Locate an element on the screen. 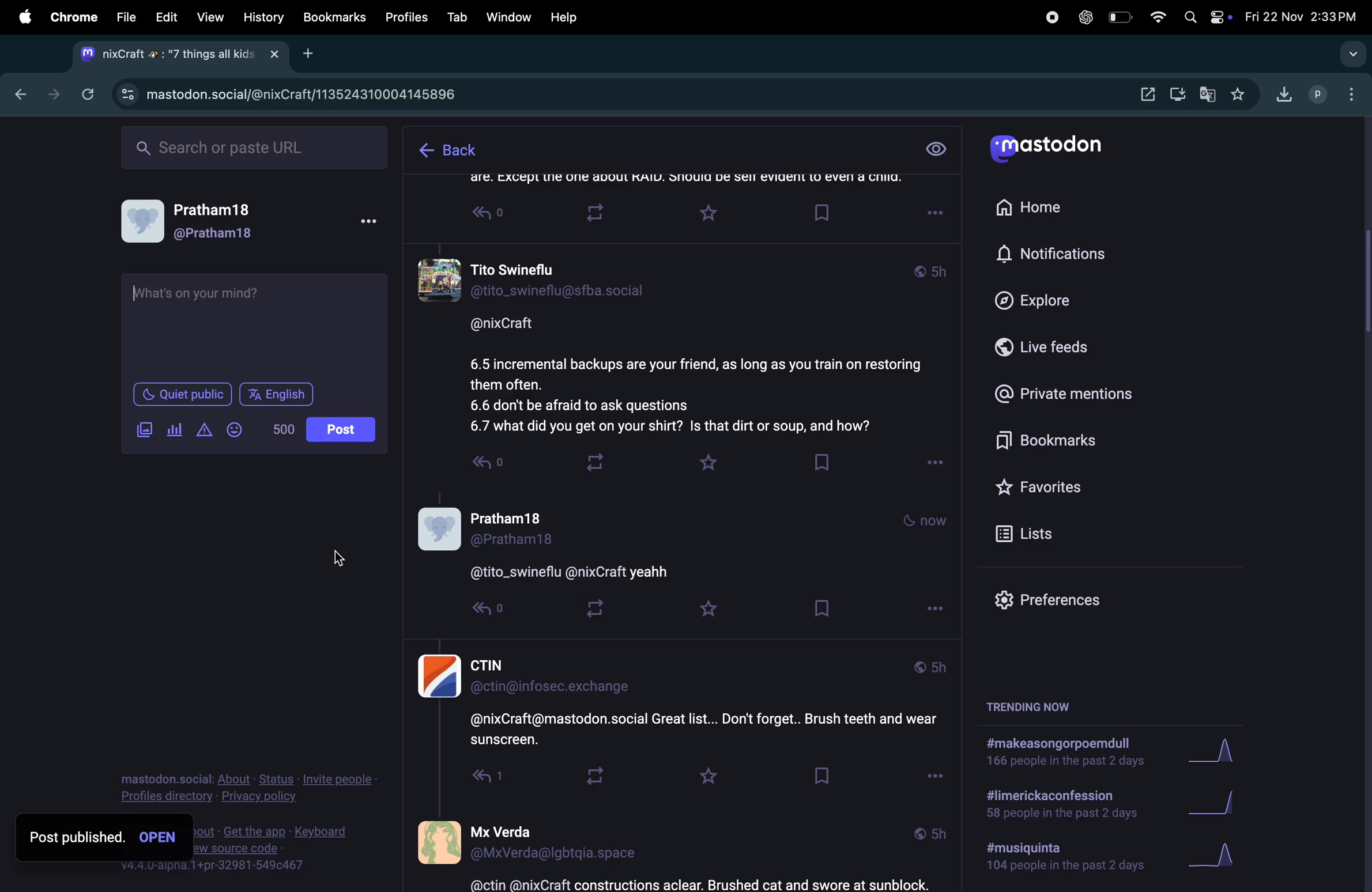 Image resolution: width=1372 pixels, height=892 pixels. polls is located at coordinates (175, 428).